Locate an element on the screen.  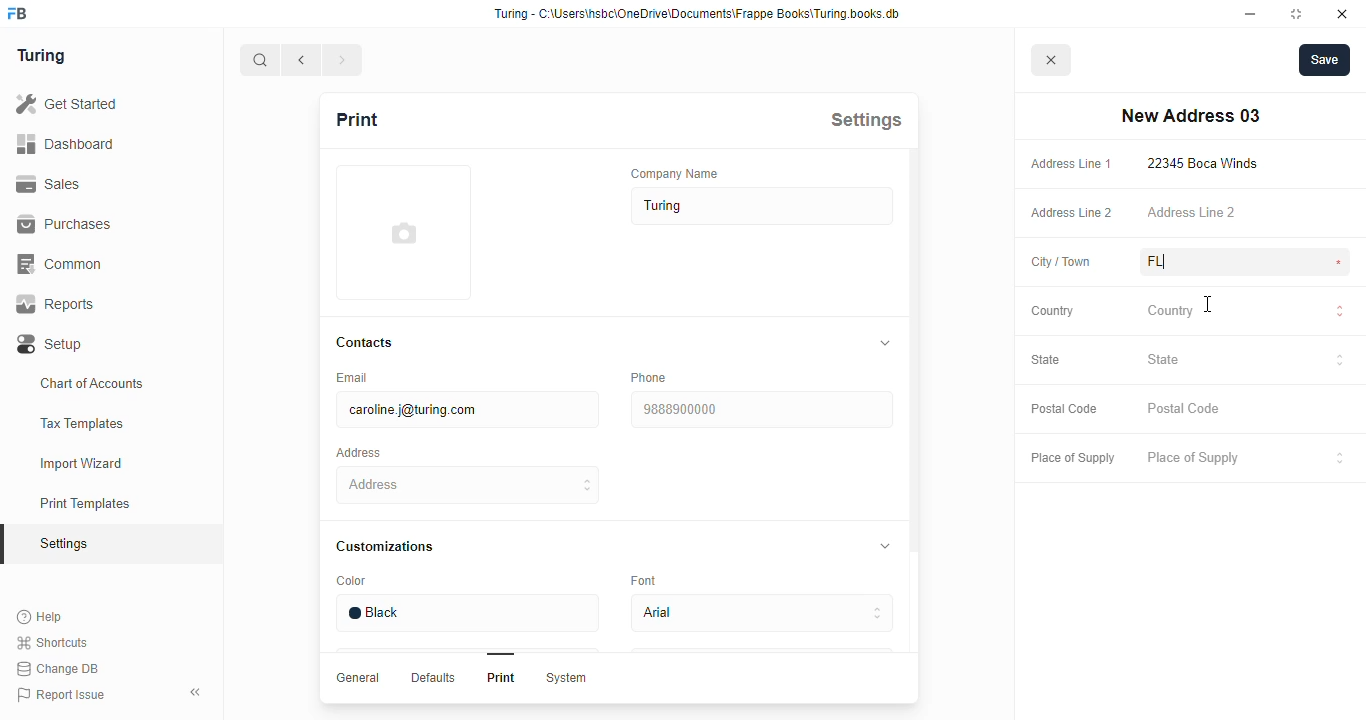
compulsory to fill *  is located at coordinates (1340, 263).